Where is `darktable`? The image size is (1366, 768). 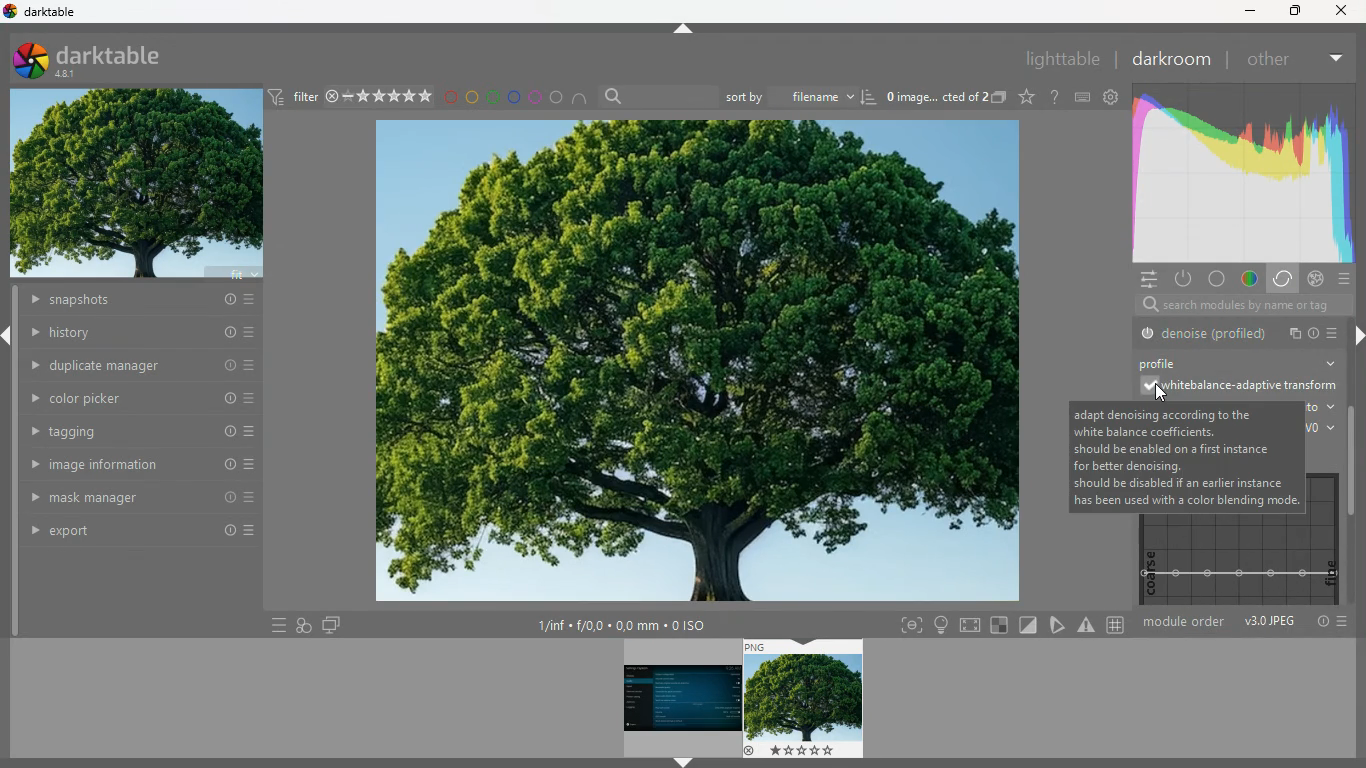 darktable is located at coordinates (101, 60).